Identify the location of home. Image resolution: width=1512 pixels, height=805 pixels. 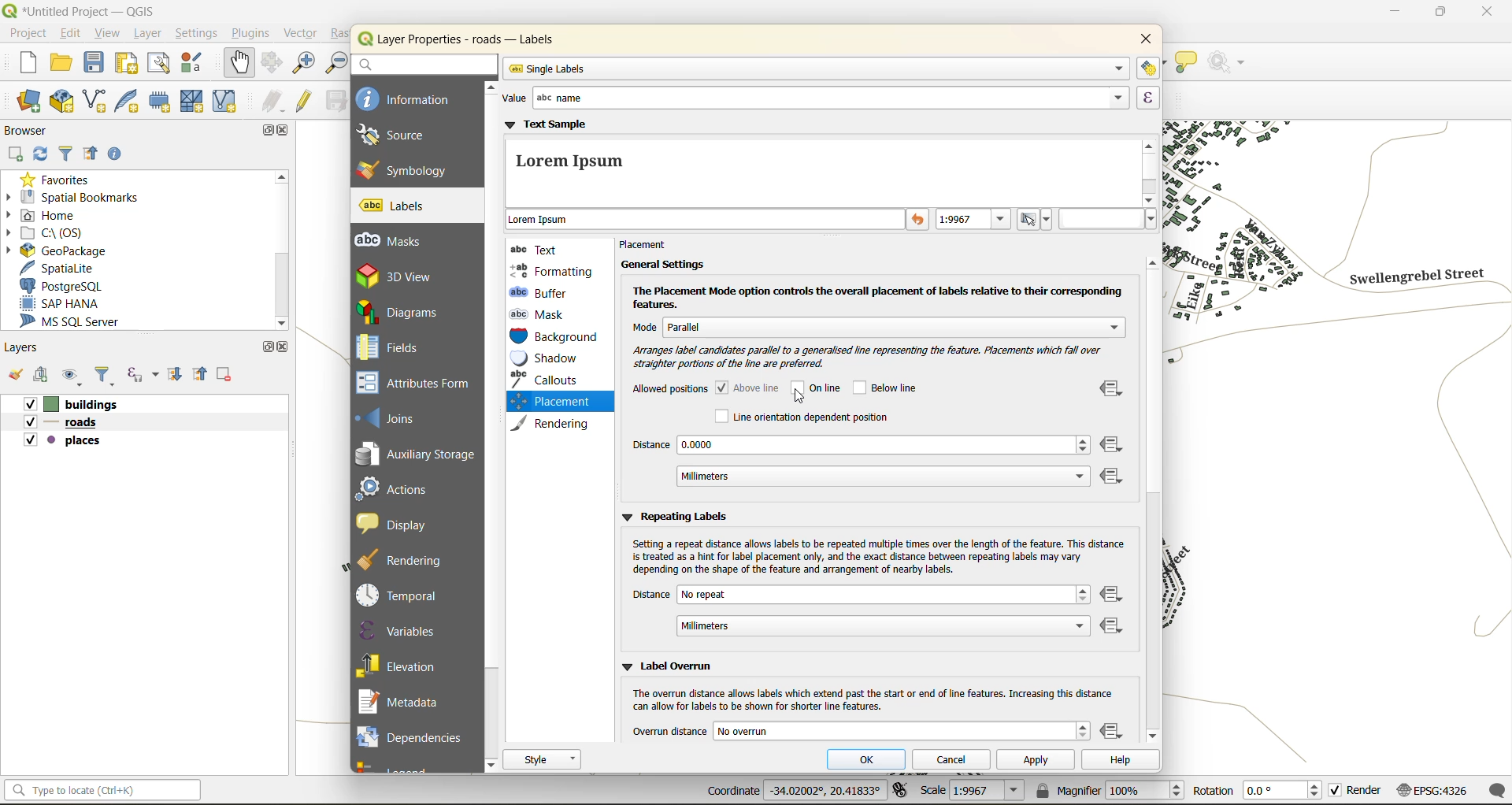
(50, 215).